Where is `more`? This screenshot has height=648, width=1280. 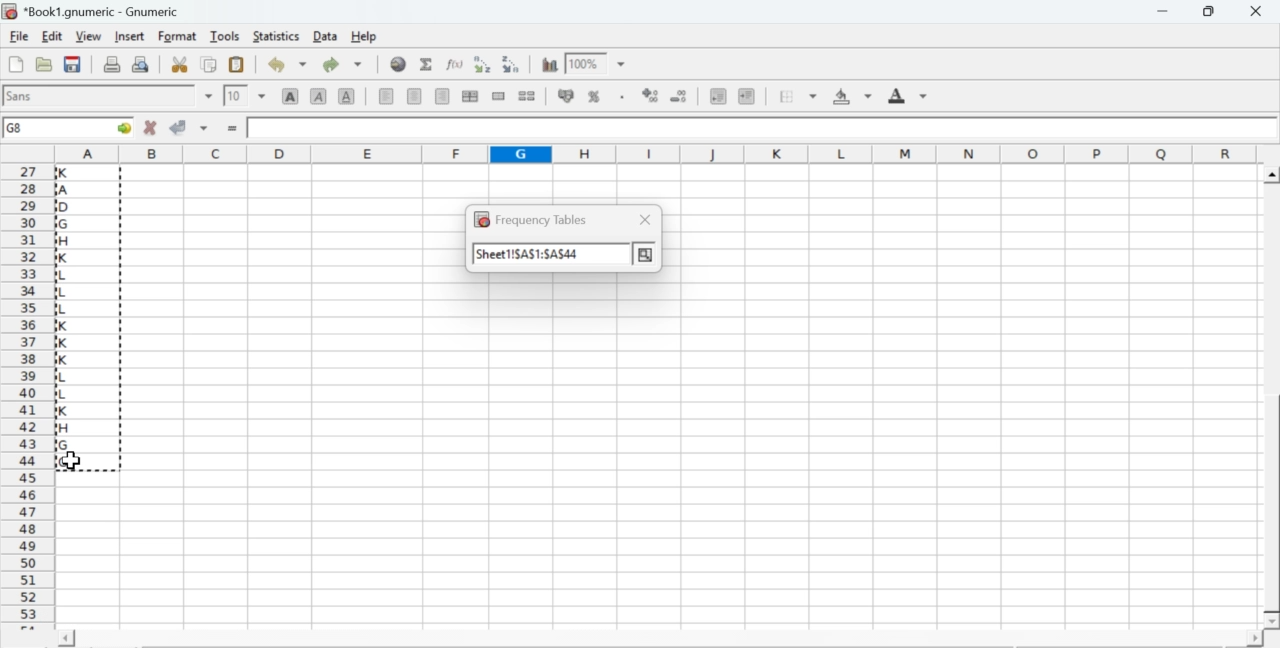 more is located at coordinates (646, 254).